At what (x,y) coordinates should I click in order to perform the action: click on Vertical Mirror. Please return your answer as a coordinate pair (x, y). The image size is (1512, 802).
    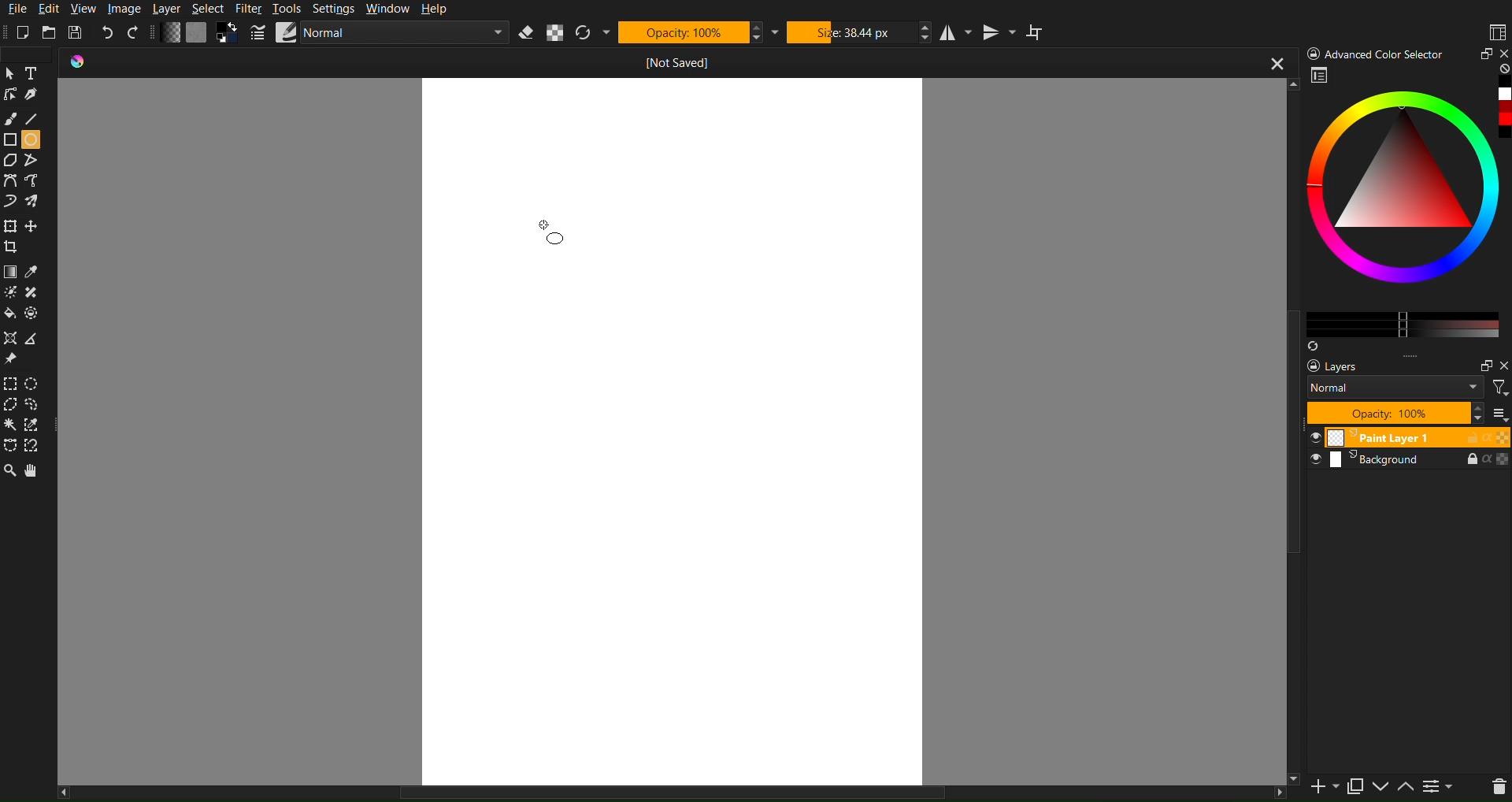
    Looking at the image, I should click on (996, 32).